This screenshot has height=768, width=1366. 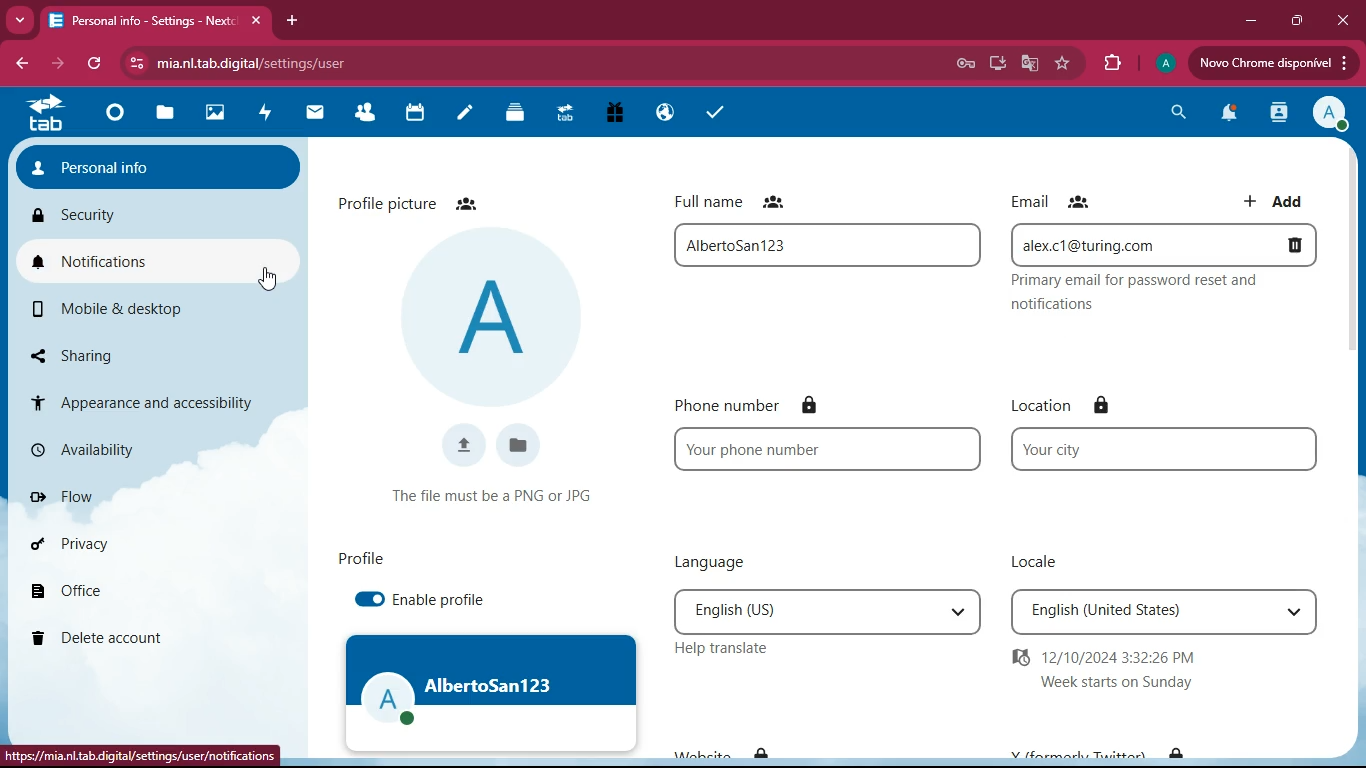 What do you see at coordinates (290, 21) in the screenshot?
I see `add tab` at bounding box center [290, 21].